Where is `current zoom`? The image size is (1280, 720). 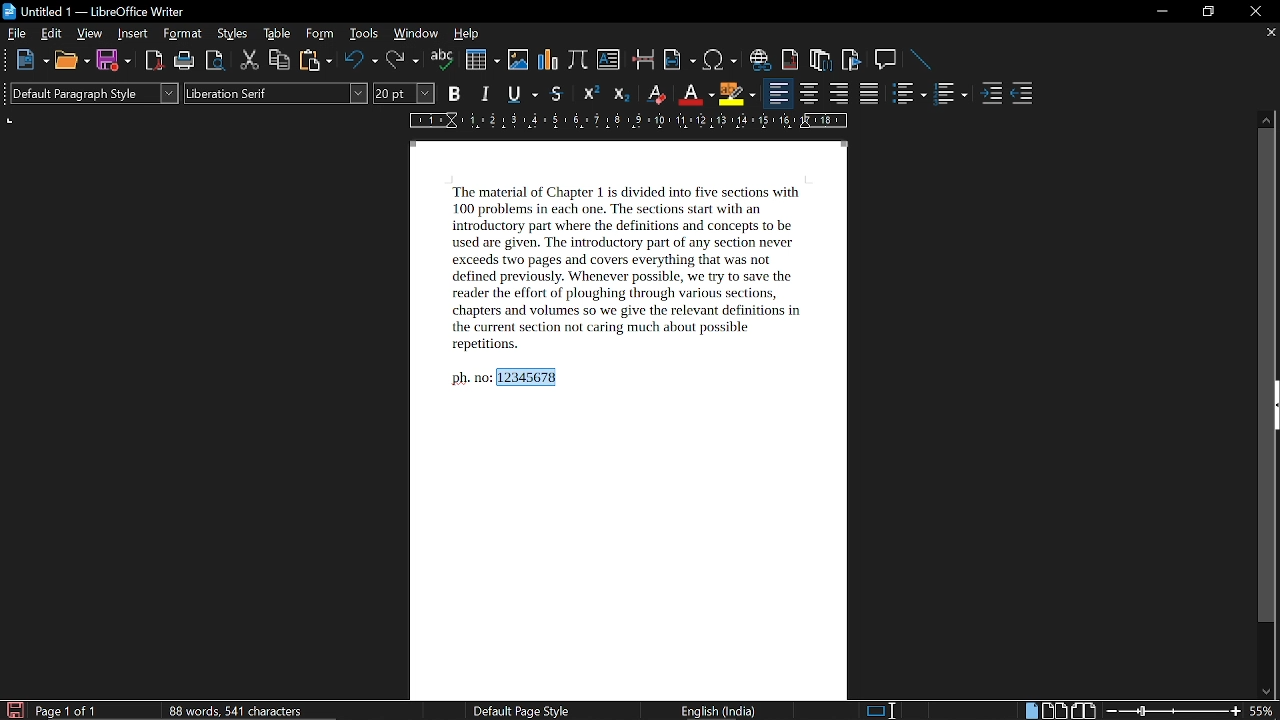
current zoom is located at coordinates (1264, 712).